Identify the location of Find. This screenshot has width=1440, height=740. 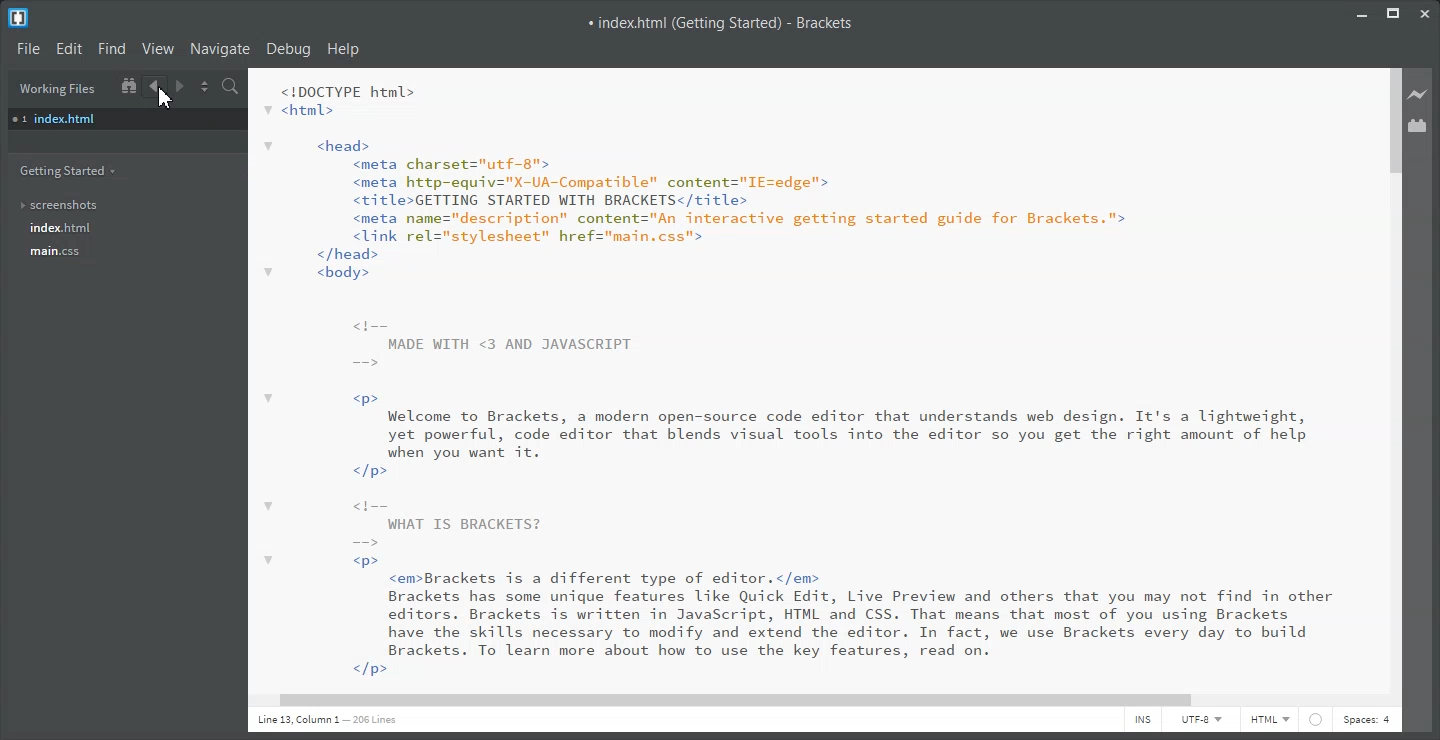
(112, 49).